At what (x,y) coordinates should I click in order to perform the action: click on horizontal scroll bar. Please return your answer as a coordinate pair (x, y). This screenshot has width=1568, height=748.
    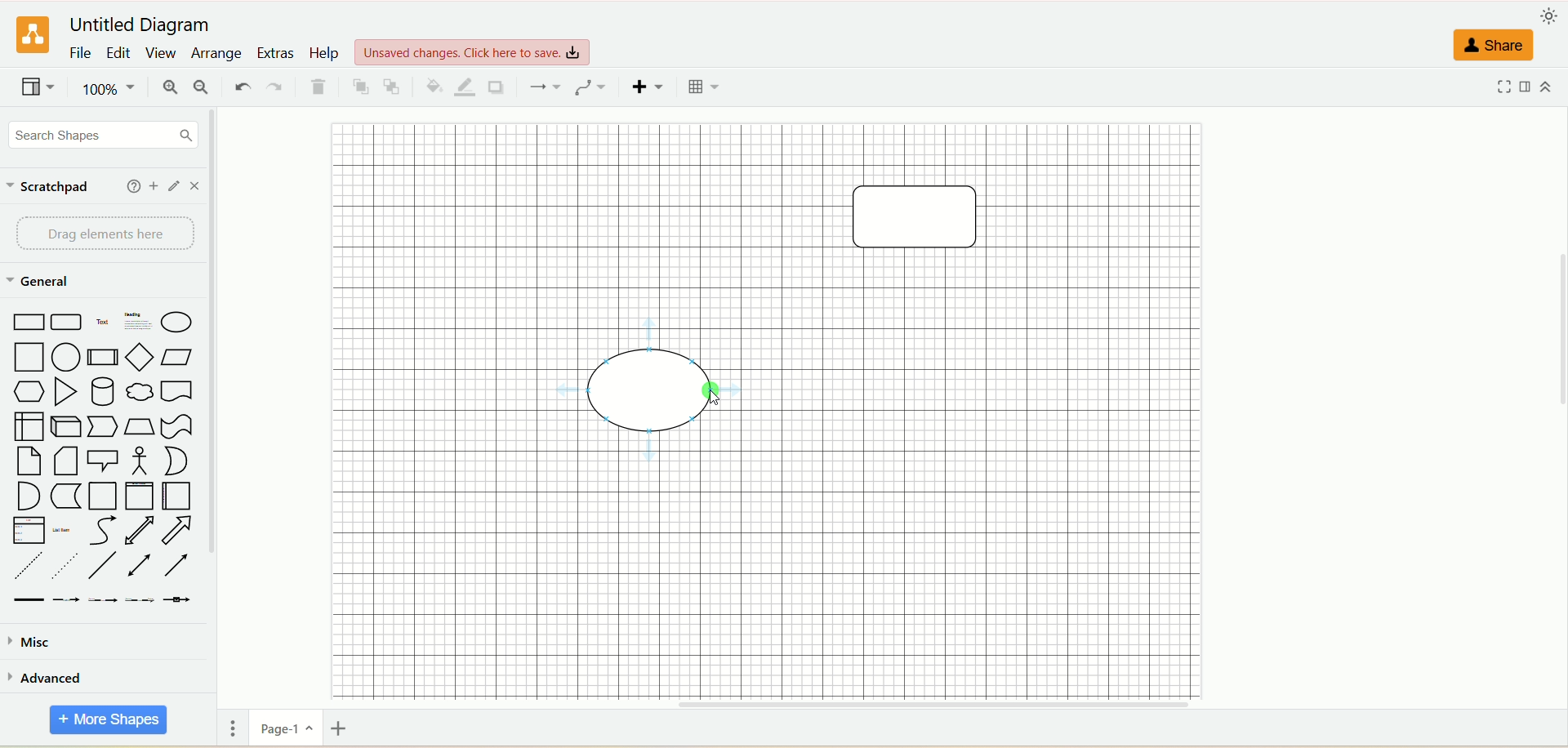
    Looking at the image, I should click on (889, 705).